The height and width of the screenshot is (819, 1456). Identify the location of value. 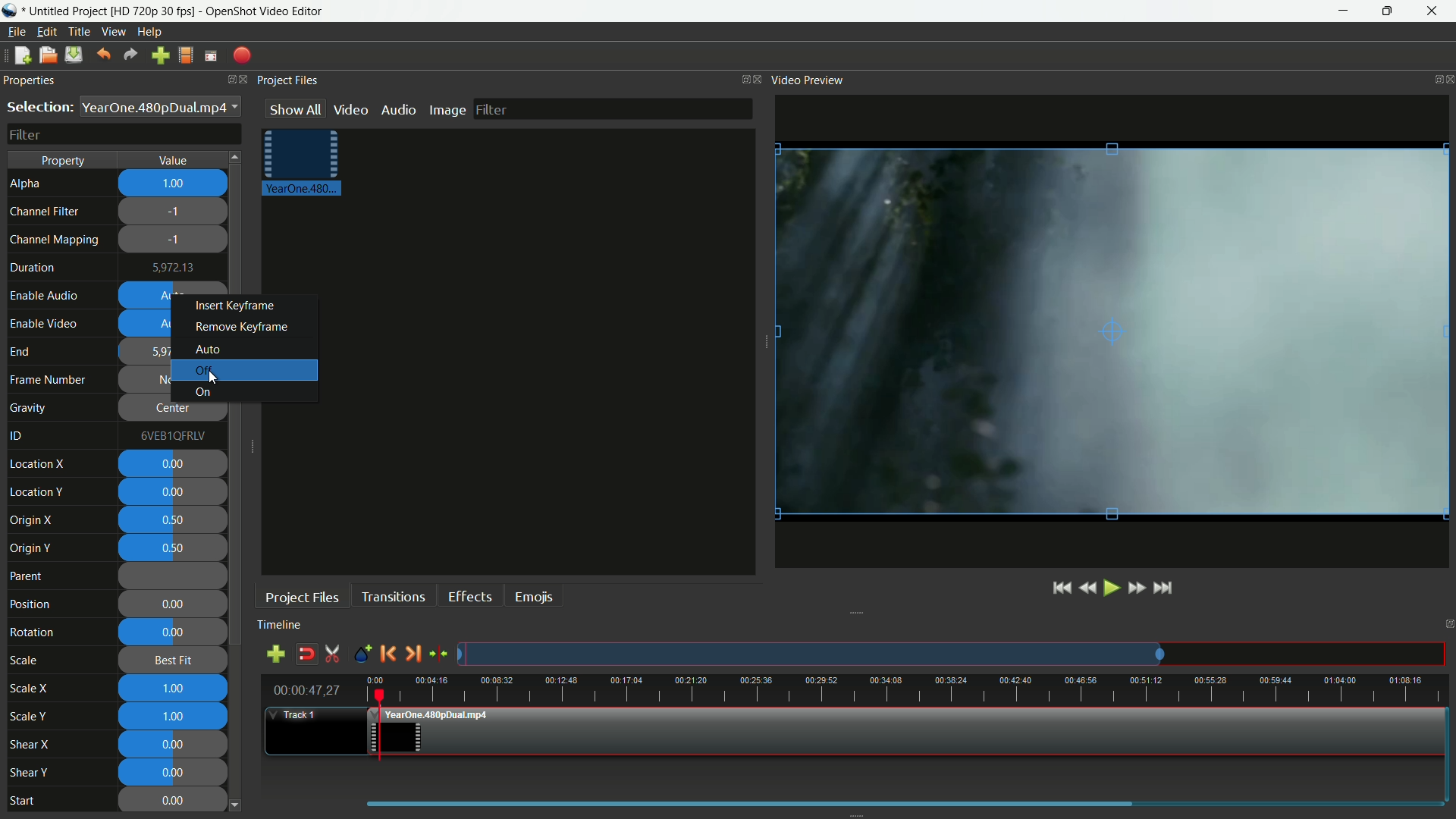
(176, 160).